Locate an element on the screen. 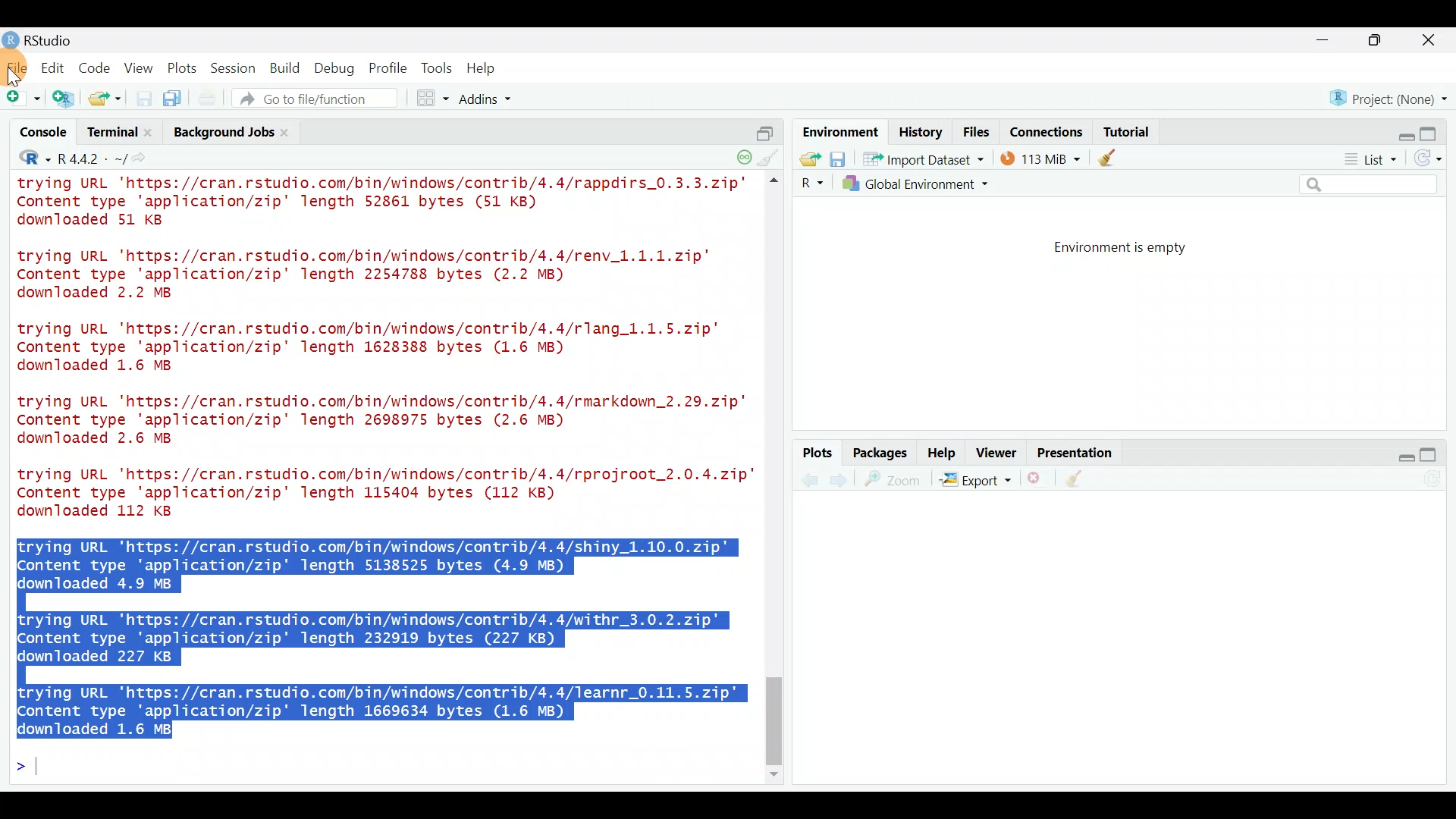 This screenshot has width=1456, height=819. minimize is located at coordinates (1330, 41).